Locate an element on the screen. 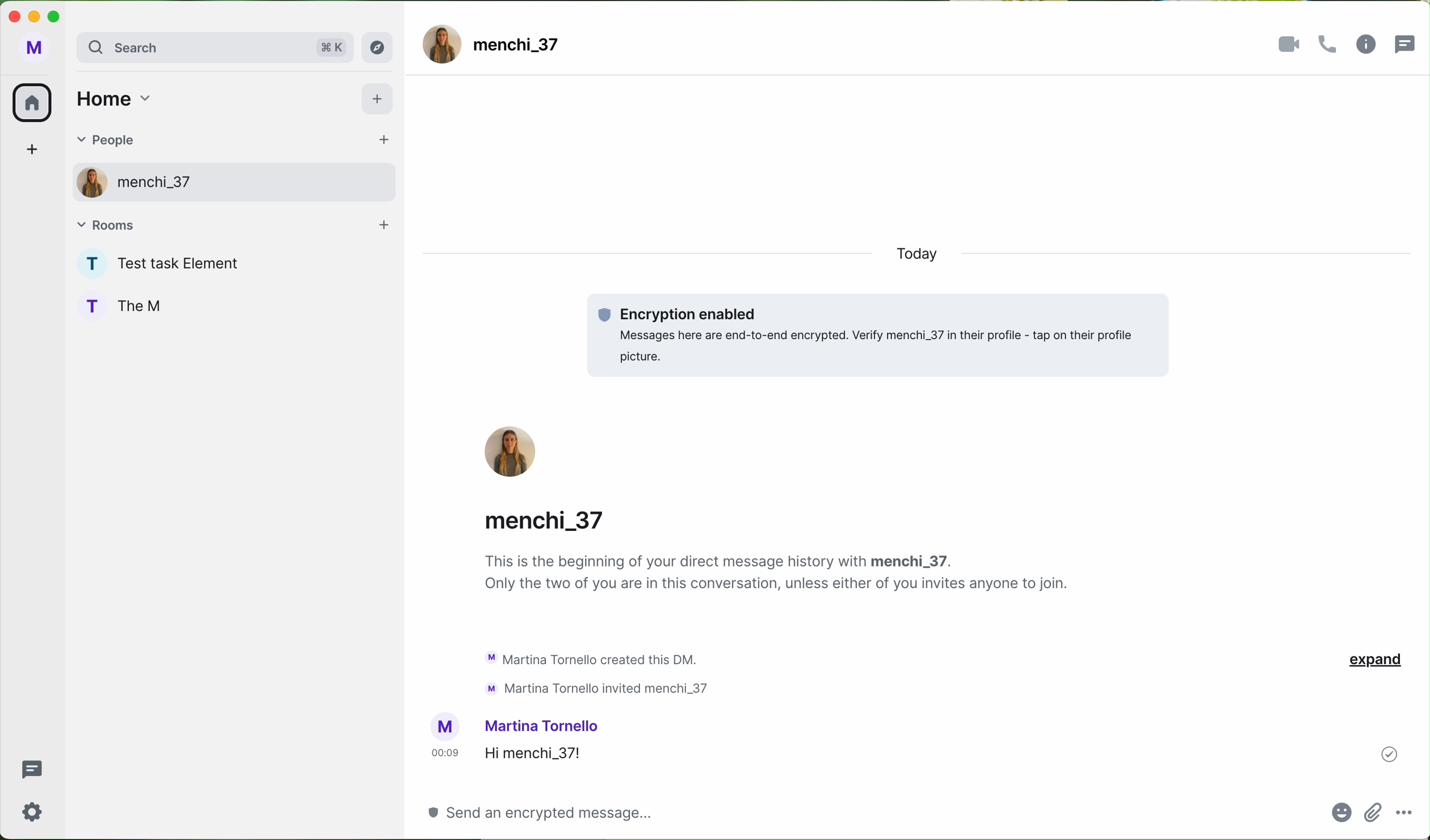 The width and height of the screenshot is (1430, 840). call is located at coordinates (1331, 45).